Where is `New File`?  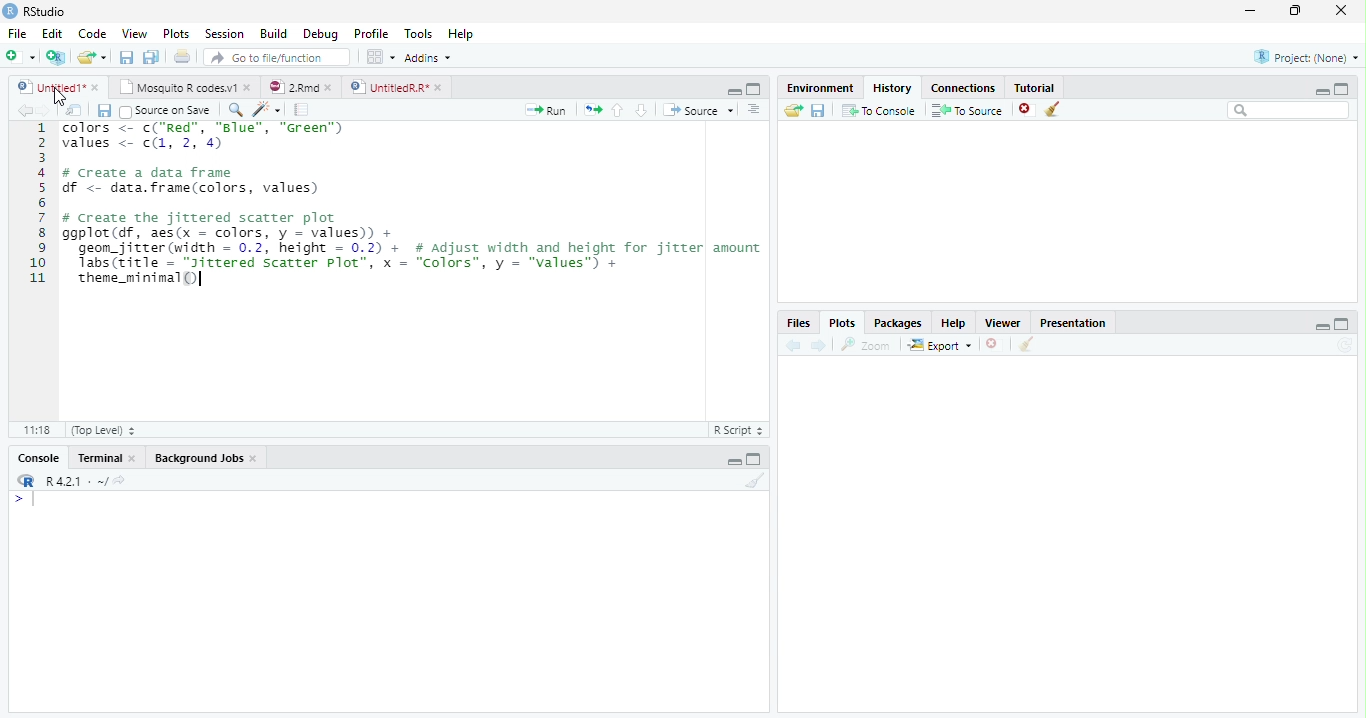
New File is located at coordinates (21, 57).